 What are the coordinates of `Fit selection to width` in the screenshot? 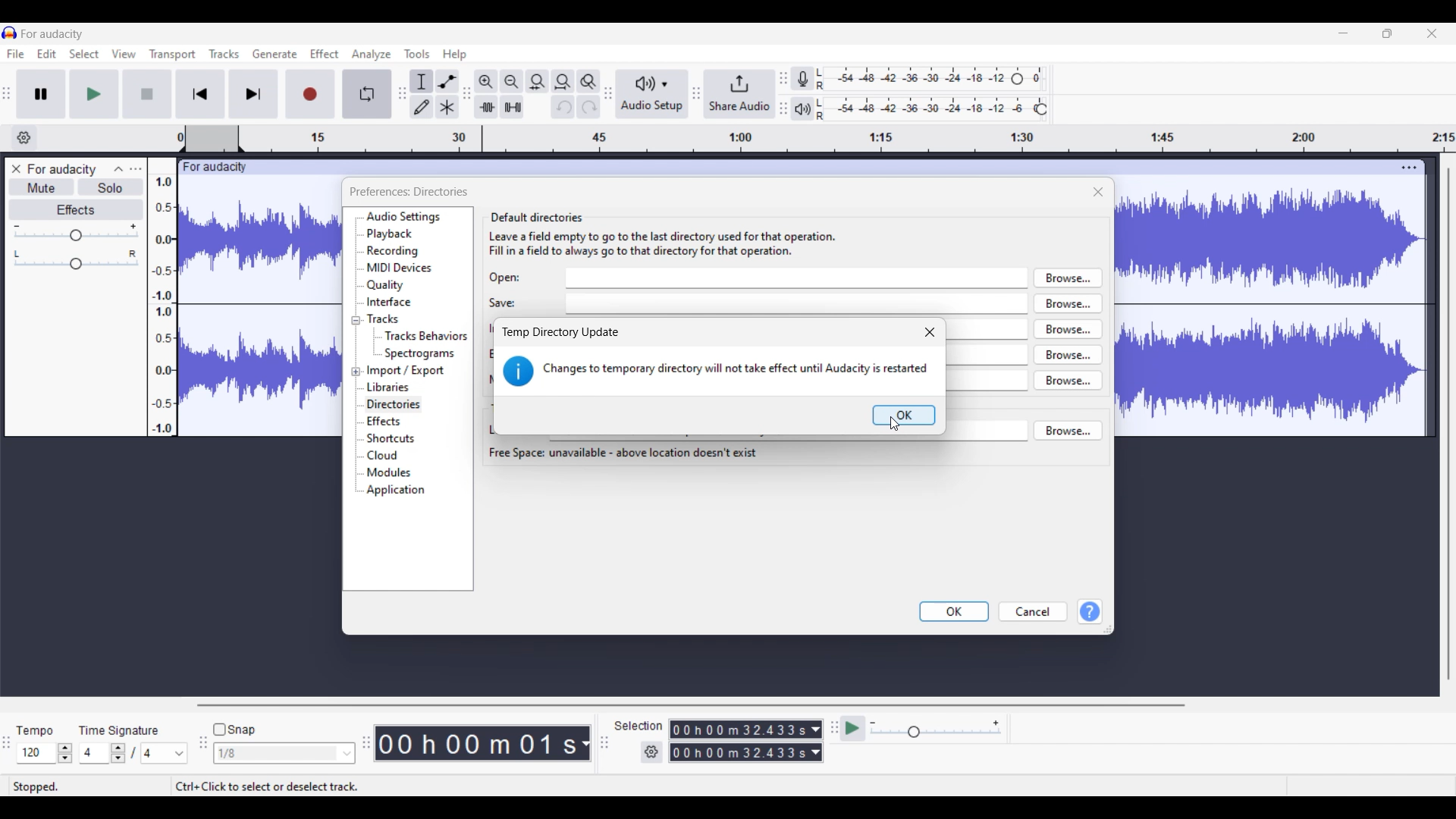 It's located at (538, 81).